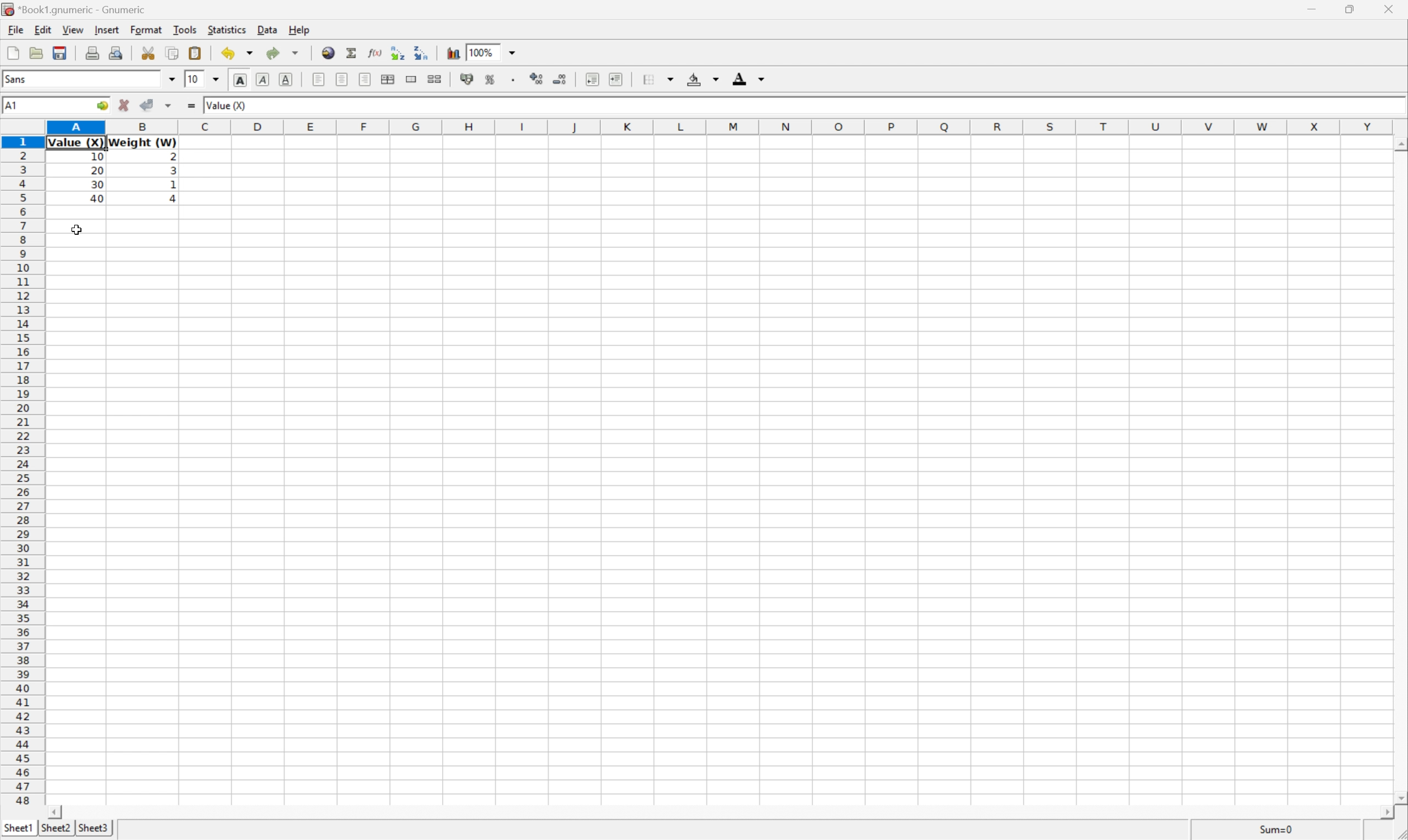 Image resolution: width=1408 pixels, height=840 pixels. Describe the element at coordinates (76, 228) in the screenshot. I see `Cursor` at that location.